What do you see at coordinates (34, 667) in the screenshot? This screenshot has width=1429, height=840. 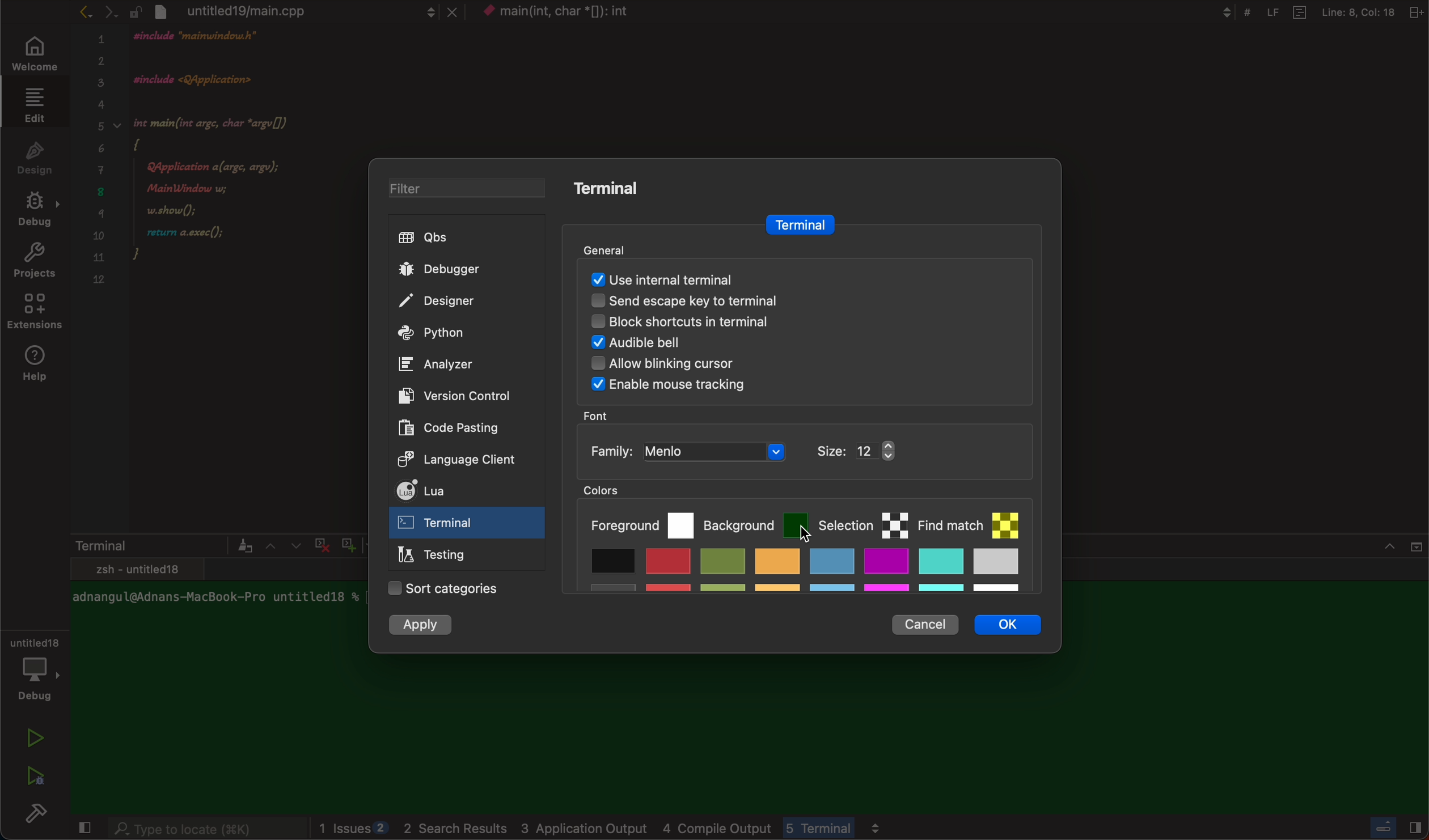 I see `debugger` at bounding box center [34, 667].